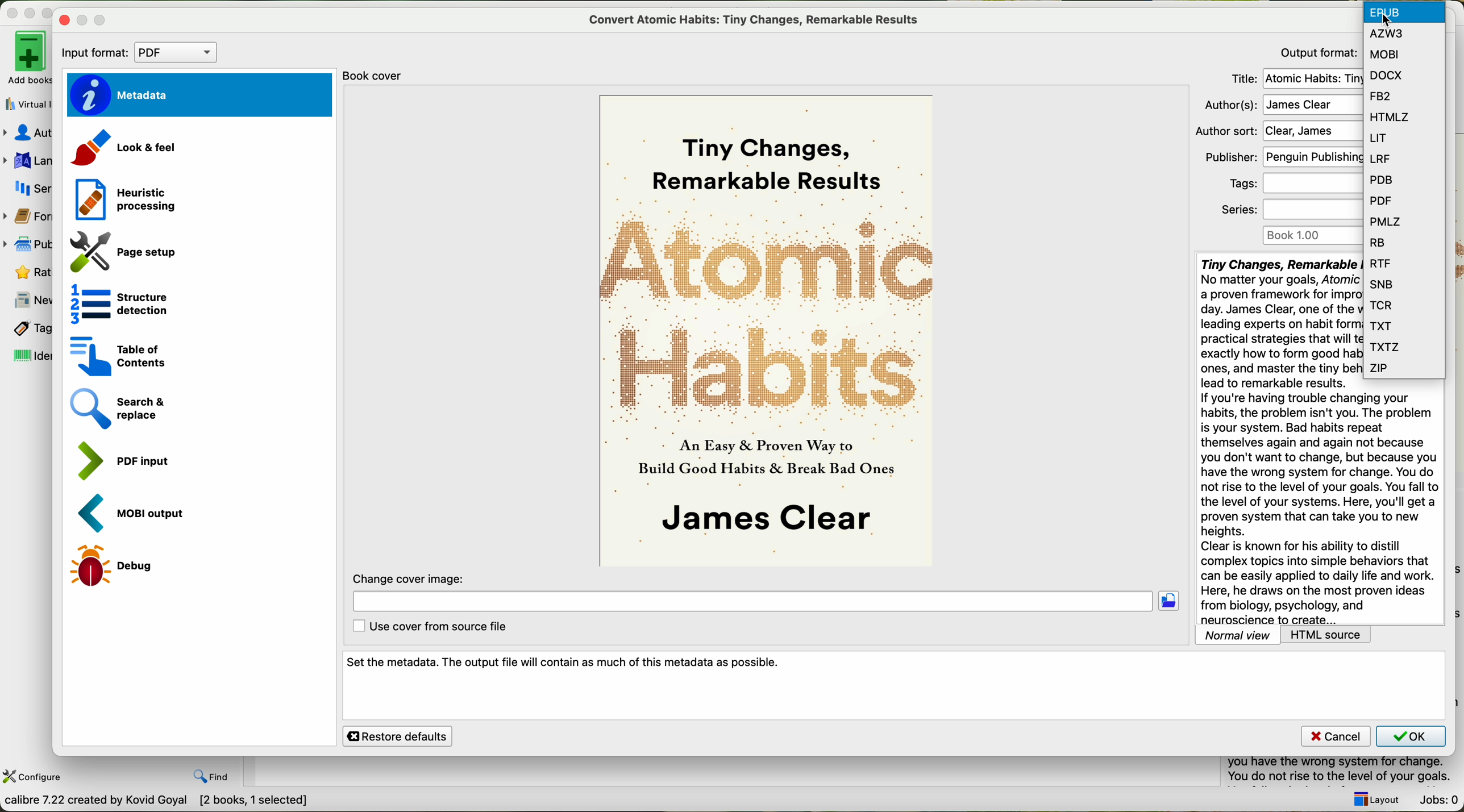 The width and height of the screenshot is (1464, 812). I want to click on FB2, so click(1394, 95).